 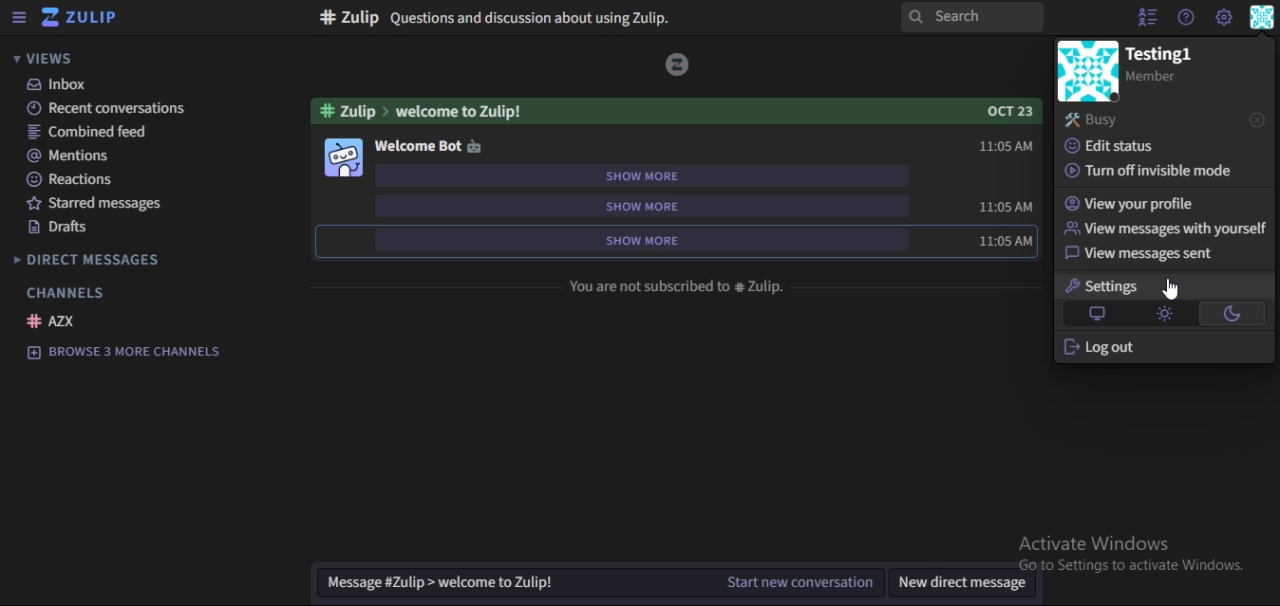 I want to click on log out, so click(x=1105, y=347).